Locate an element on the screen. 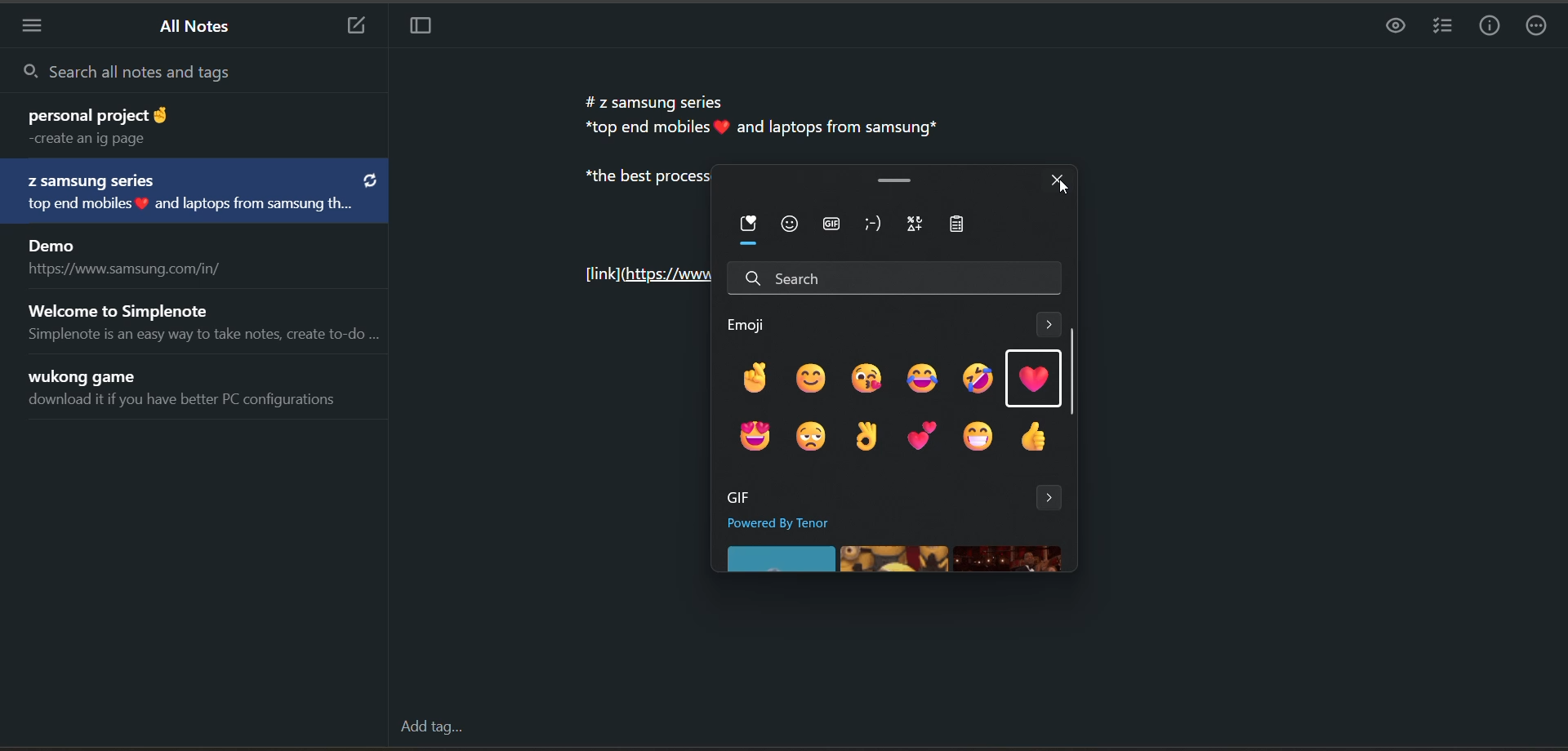 The height and width of the screenshot is (751, 1568). emoji 8 is located at coordinates (806, 437).